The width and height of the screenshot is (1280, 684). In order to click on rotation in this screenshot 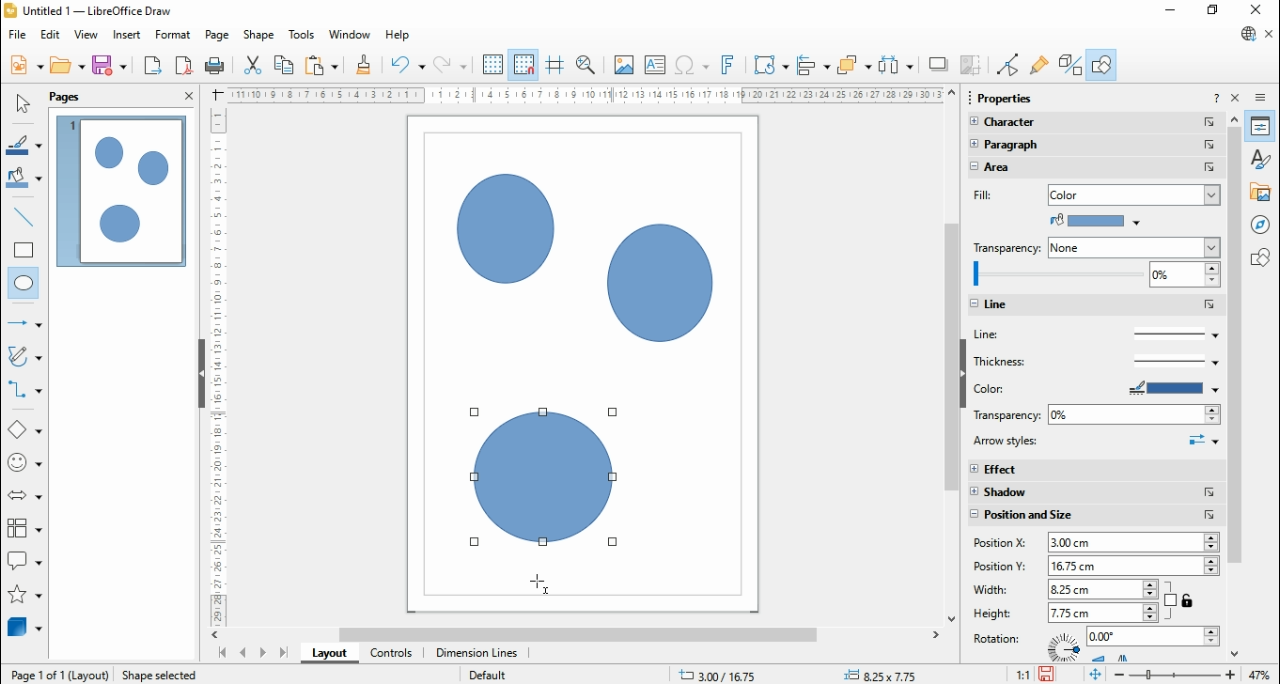, I will do `click(1000, 637)`.